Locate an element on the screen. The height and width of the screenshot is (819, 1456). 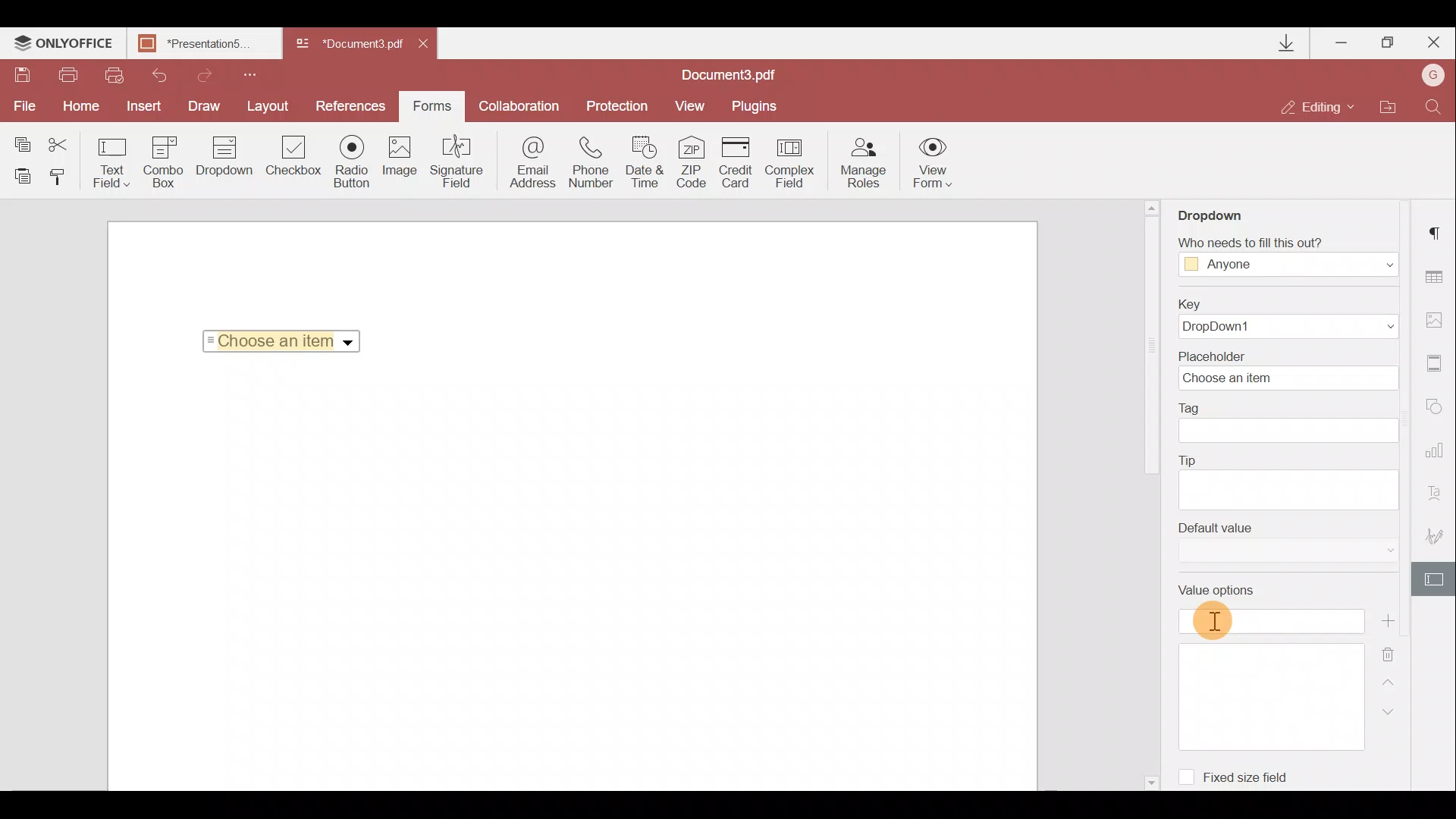
Account name is located at coordinates (1429, 77).